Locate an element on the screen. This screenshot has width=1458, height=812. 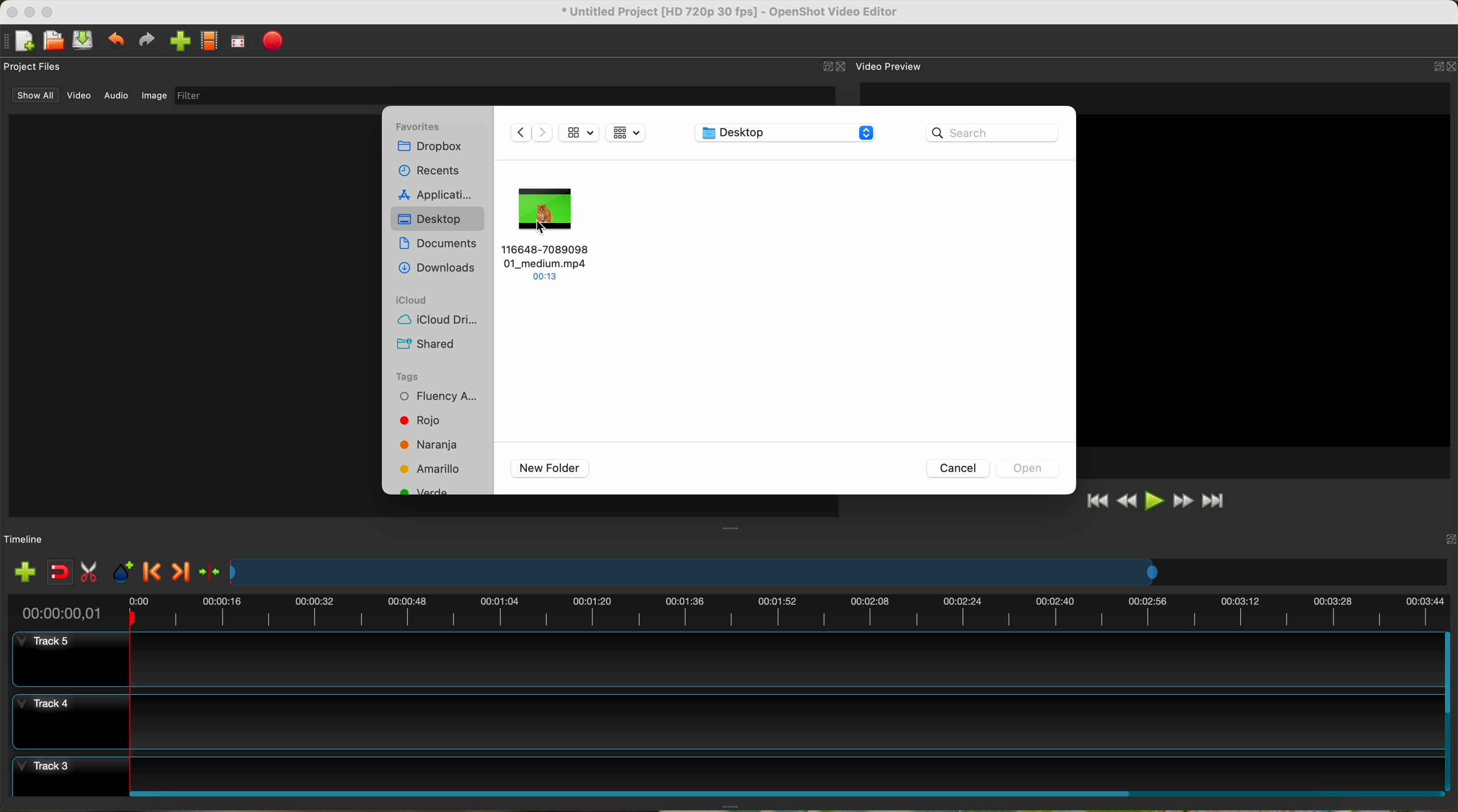
scroll bar is located at coordinates (784, 792).